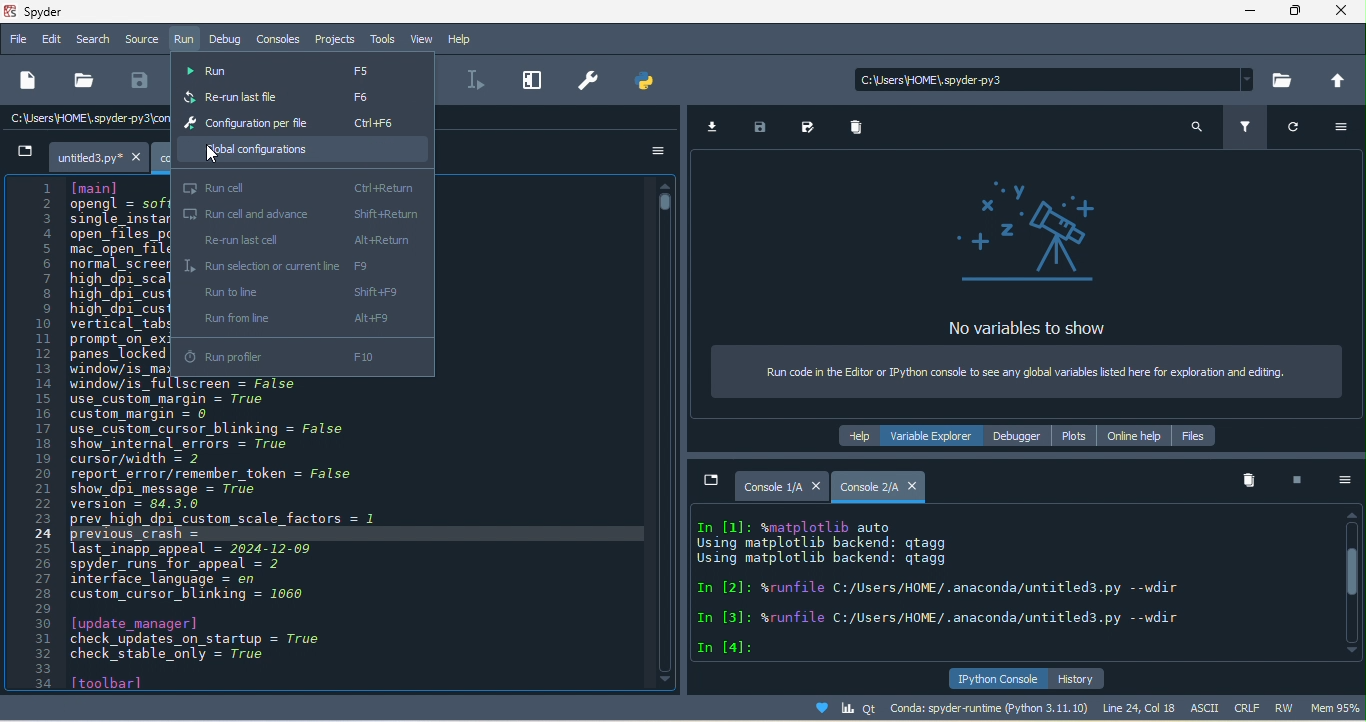 Image resolution: width=1366 pixels, height=722 pixels. Describe the element at coordinates (210, 155) in the screenshot. I see `cursor movement` at that location.